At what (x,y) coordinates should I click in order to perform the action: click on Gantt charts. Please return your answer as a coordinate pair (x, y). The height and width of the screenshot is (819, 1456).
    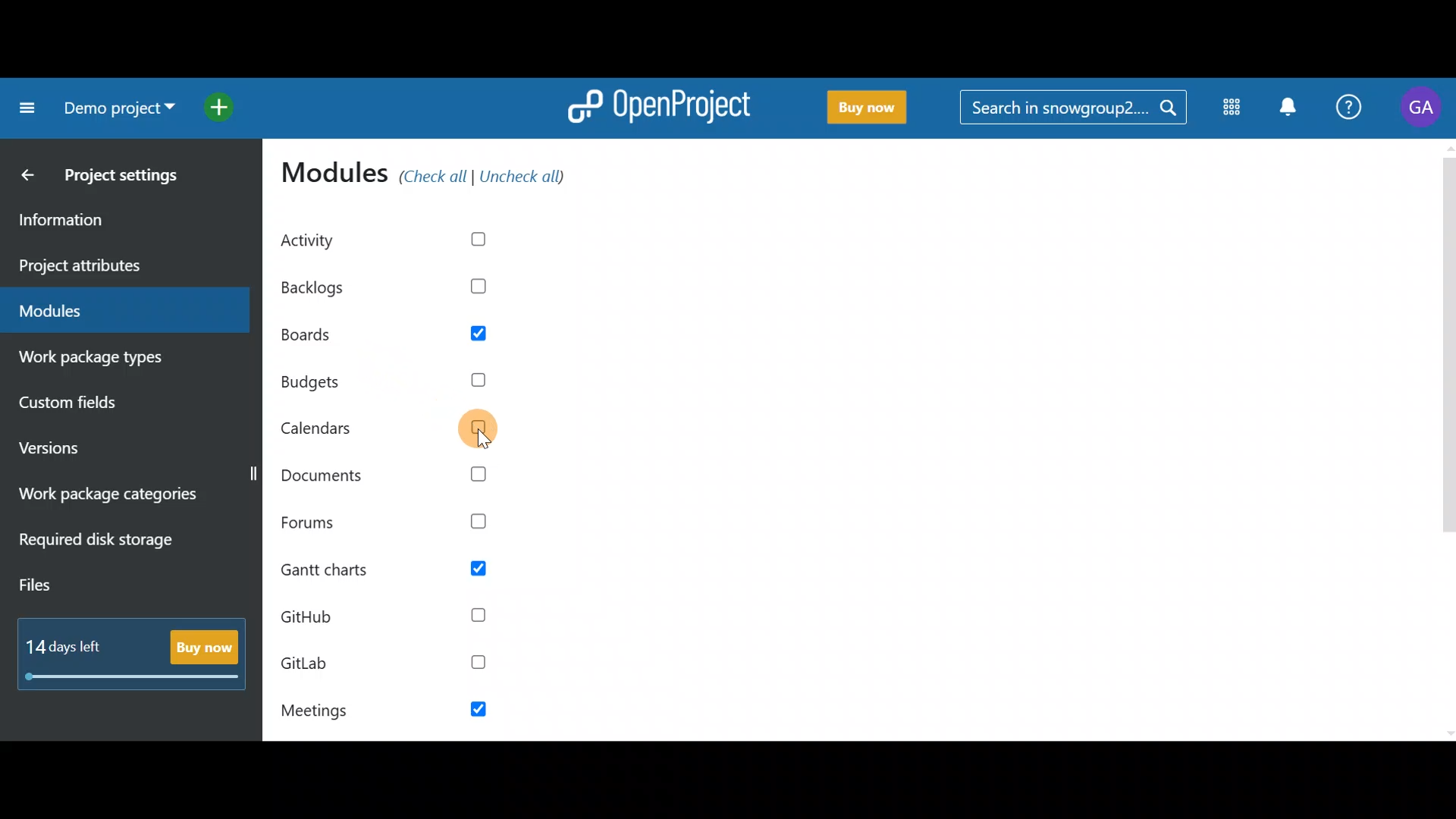
    Looking at the image, I should click on (394, 570).